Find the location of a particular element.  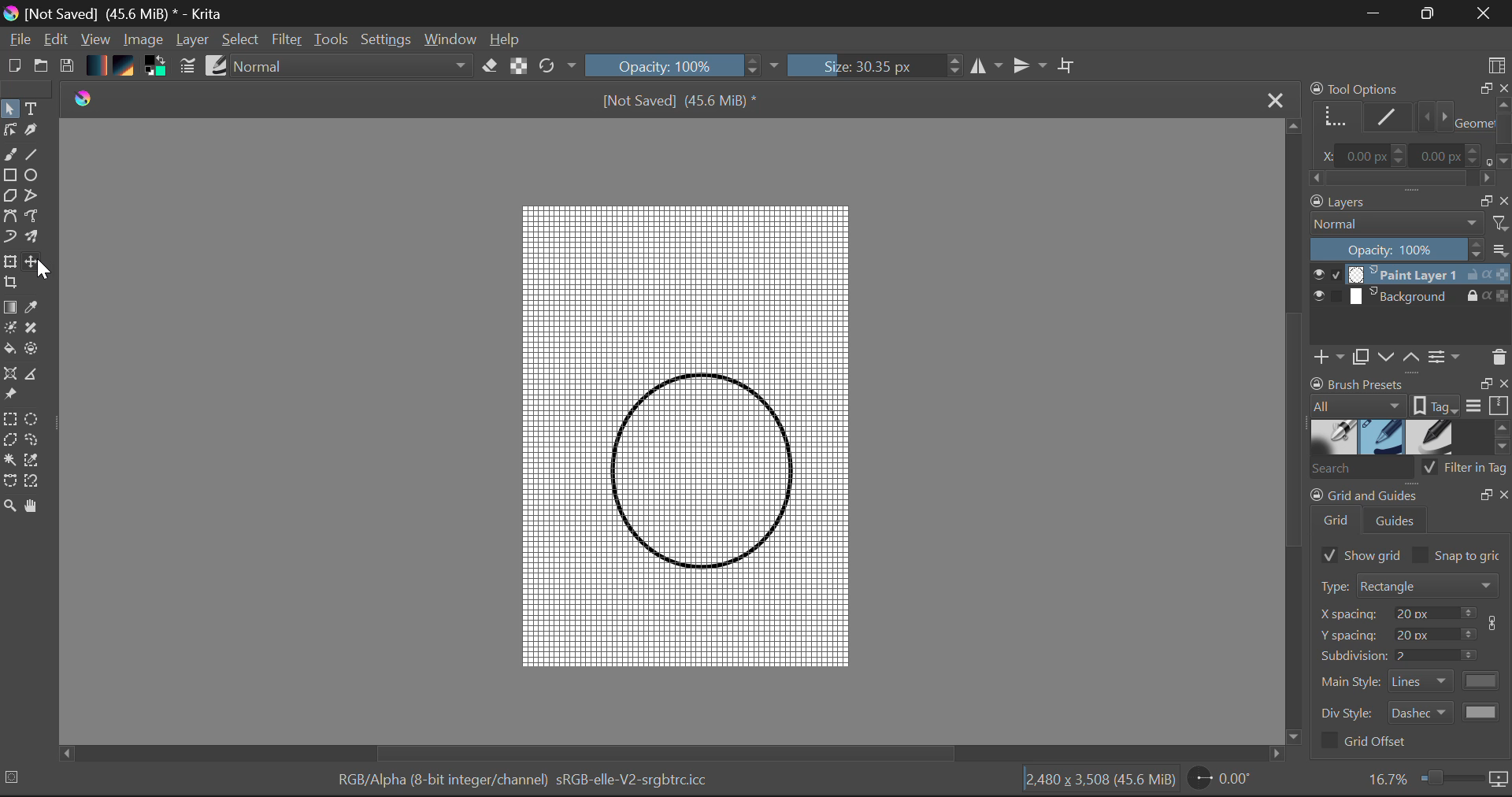

Crop is located at coordinates (13, 284).